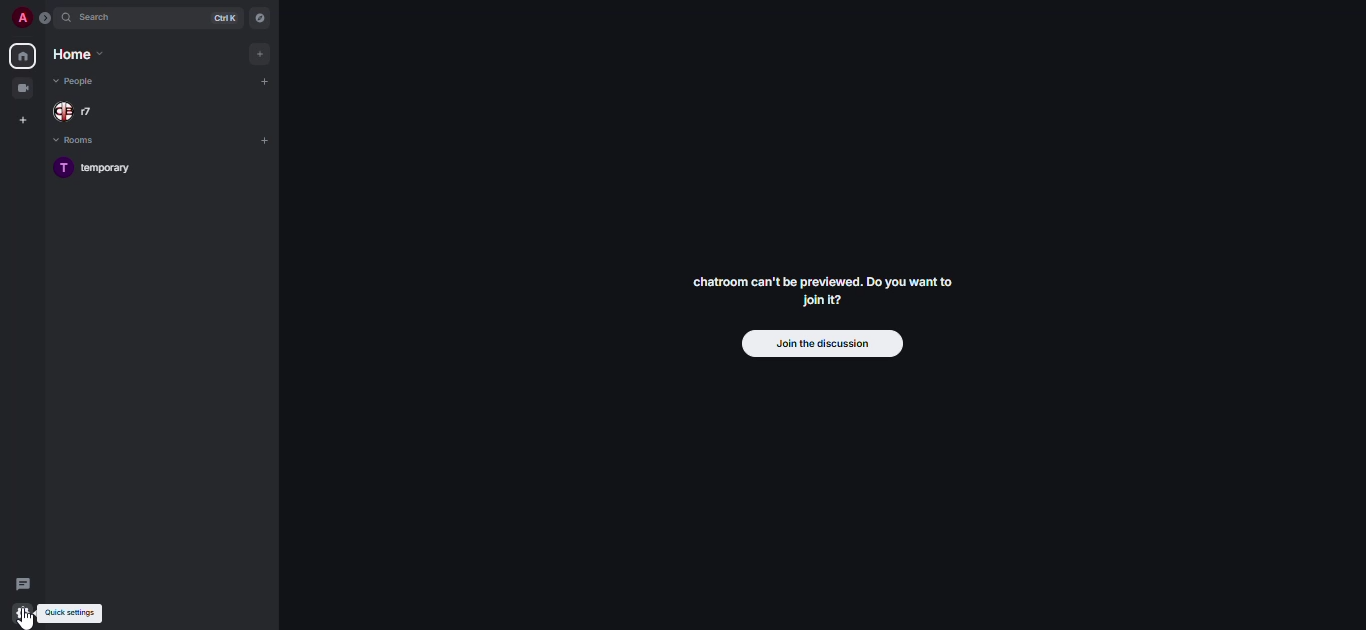  Describe the element at coordinates (820, 290) in the screenshot. I see `chatroom can't be previewed. Join it?` at that location.